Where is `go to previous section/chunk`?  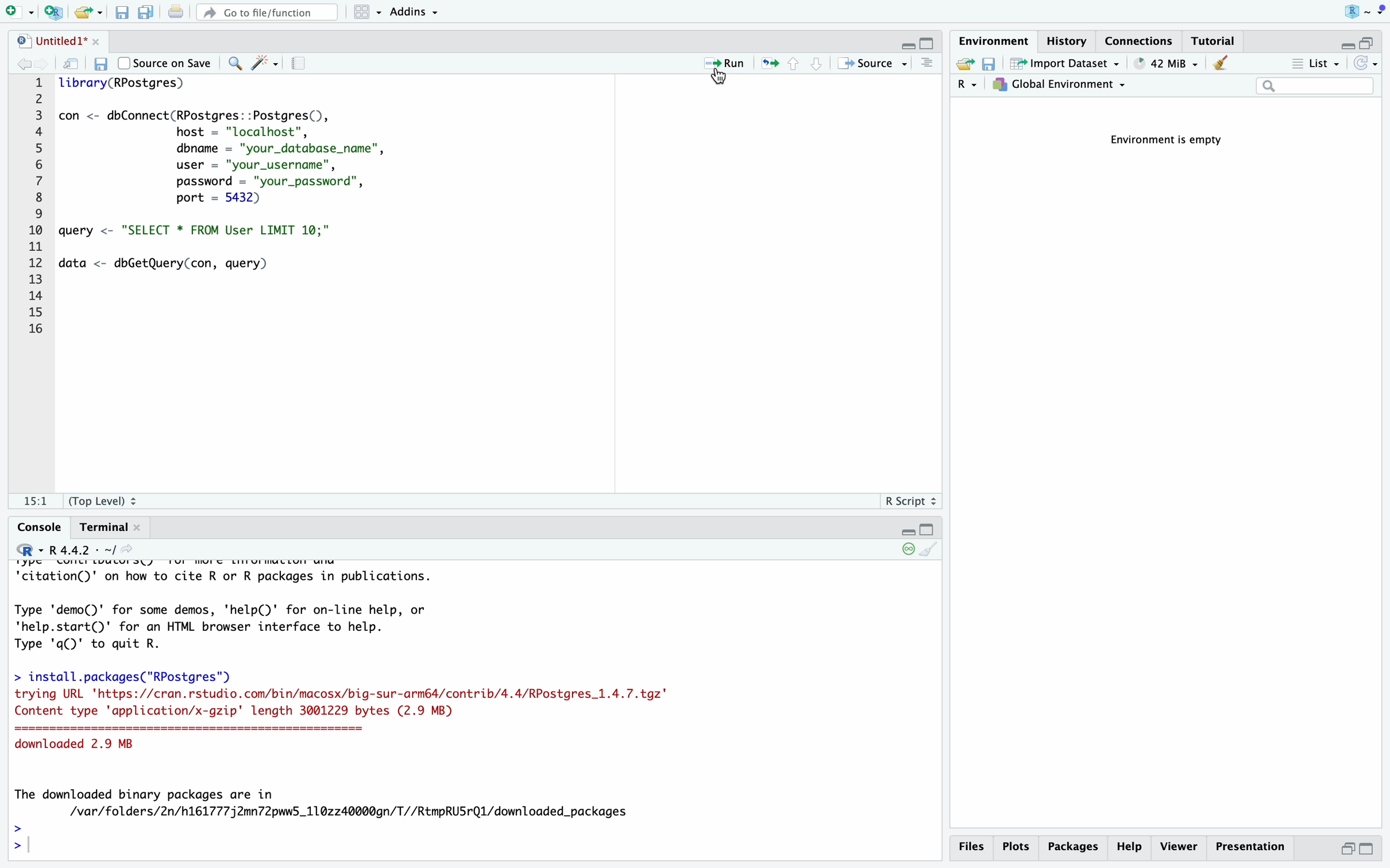 go to previous section/chunk is located at coordinates (793, 68).